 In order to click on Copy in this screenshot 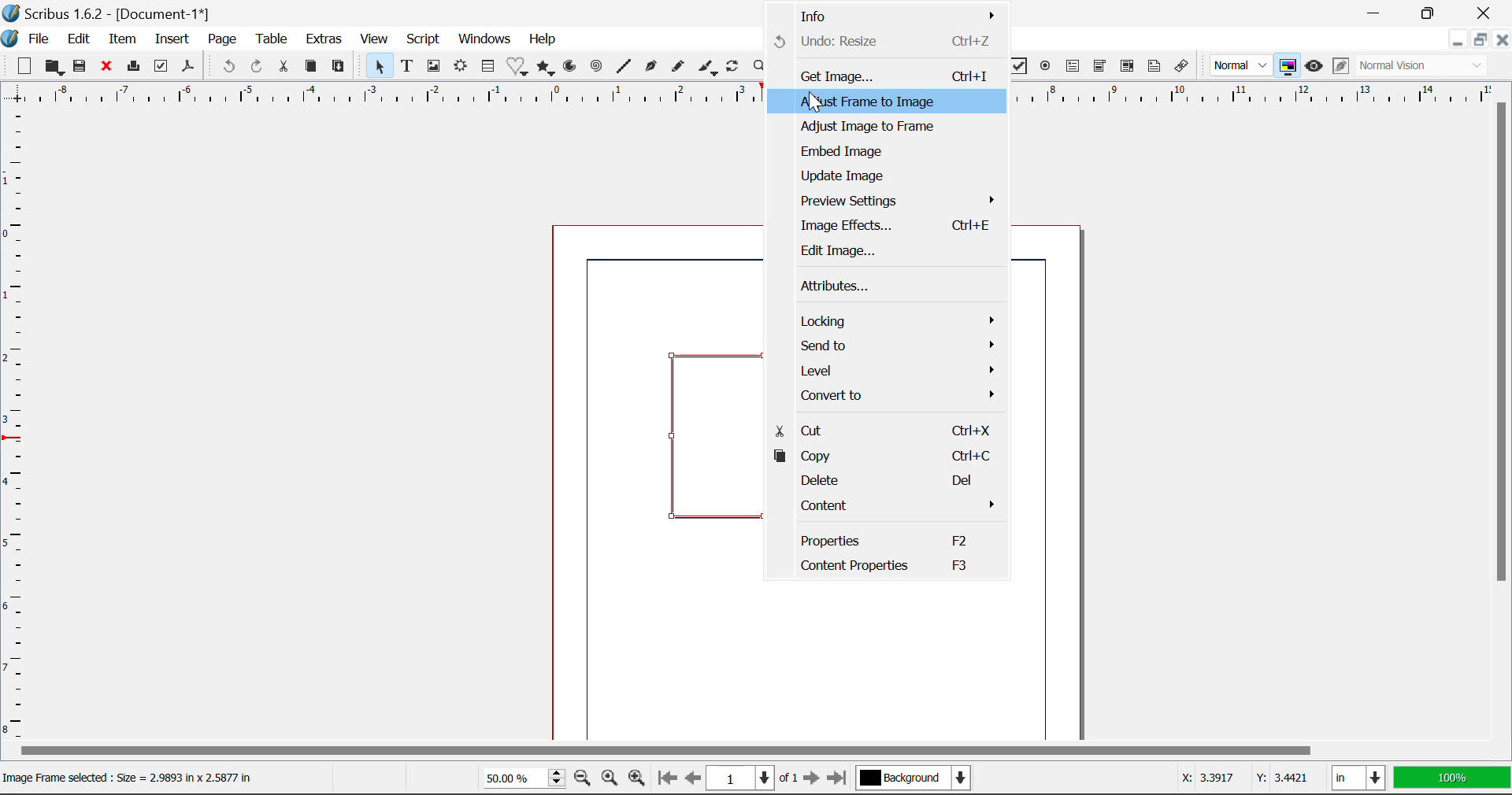, I will do `click(884, 458)`.